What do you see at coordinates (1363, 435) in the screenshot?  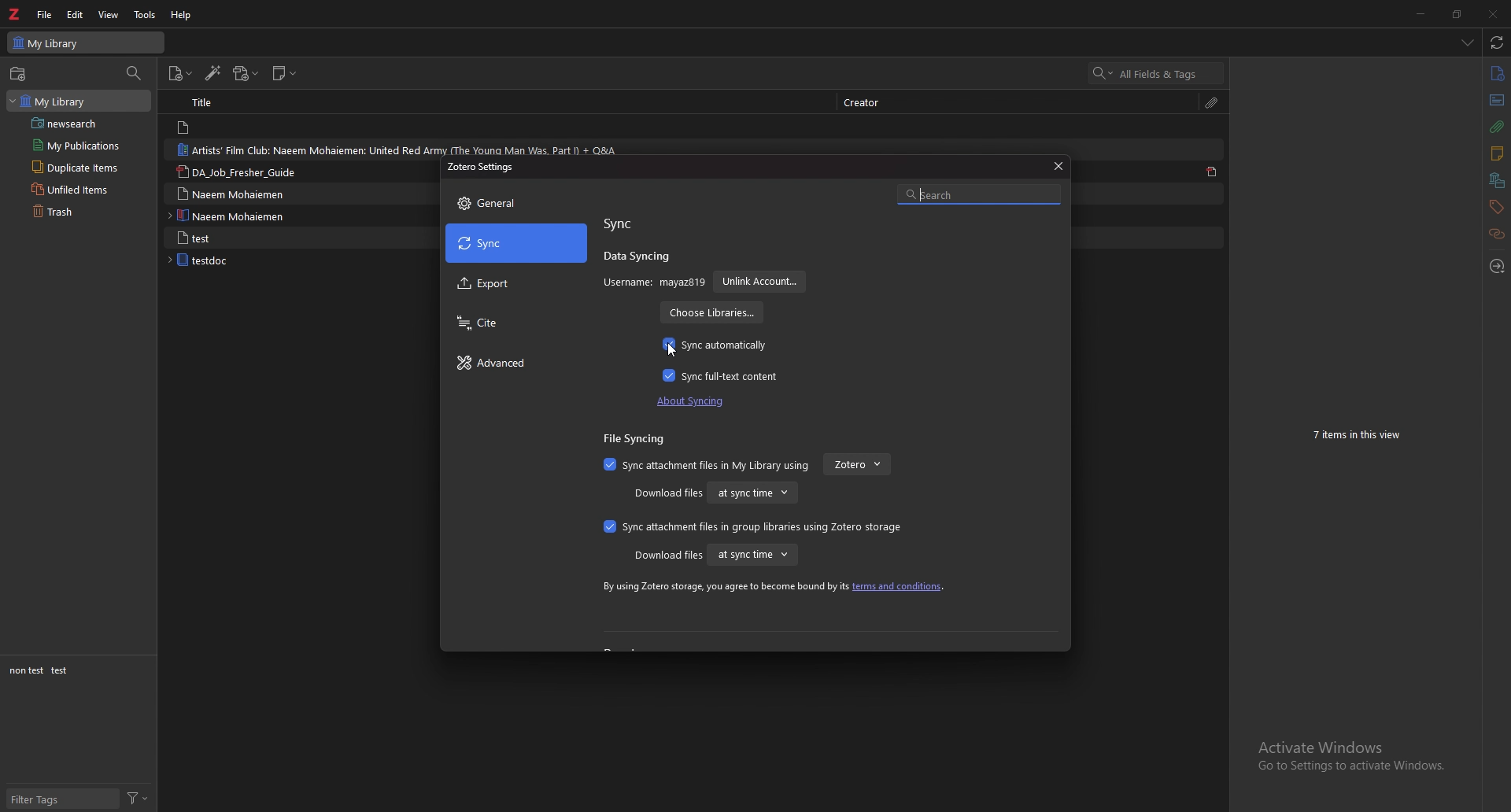 I see `7 items in this view` at bounding box center [1363, 435].